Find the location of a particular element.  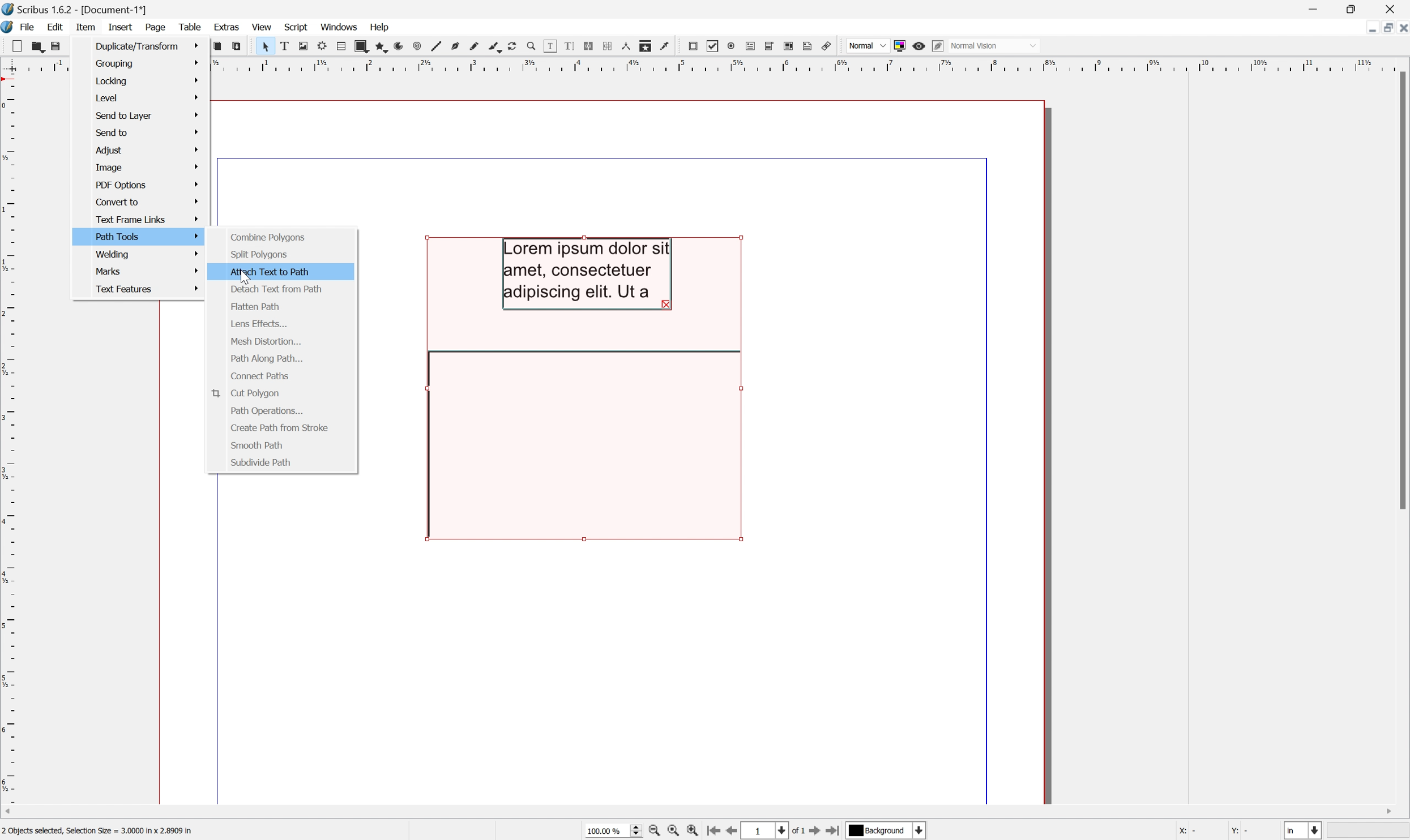

File is located at coordinates (25, 27).